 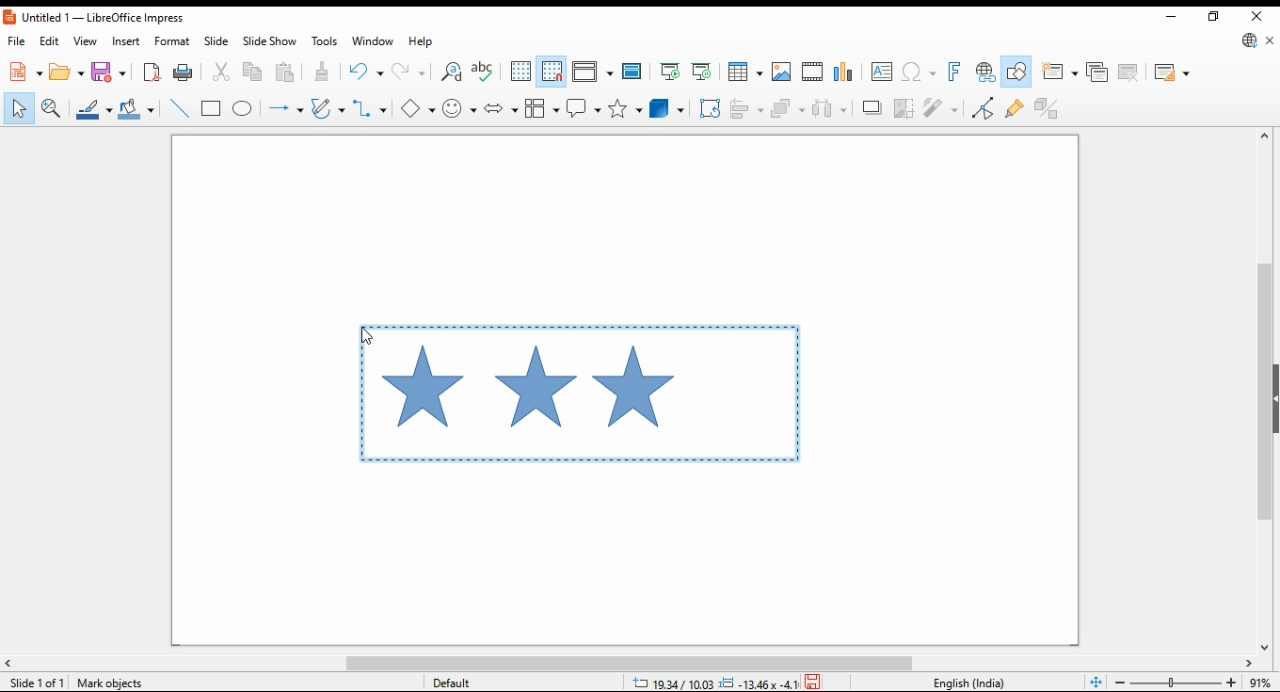 I want to click on show draw functions, so click(x=1015, y=71).